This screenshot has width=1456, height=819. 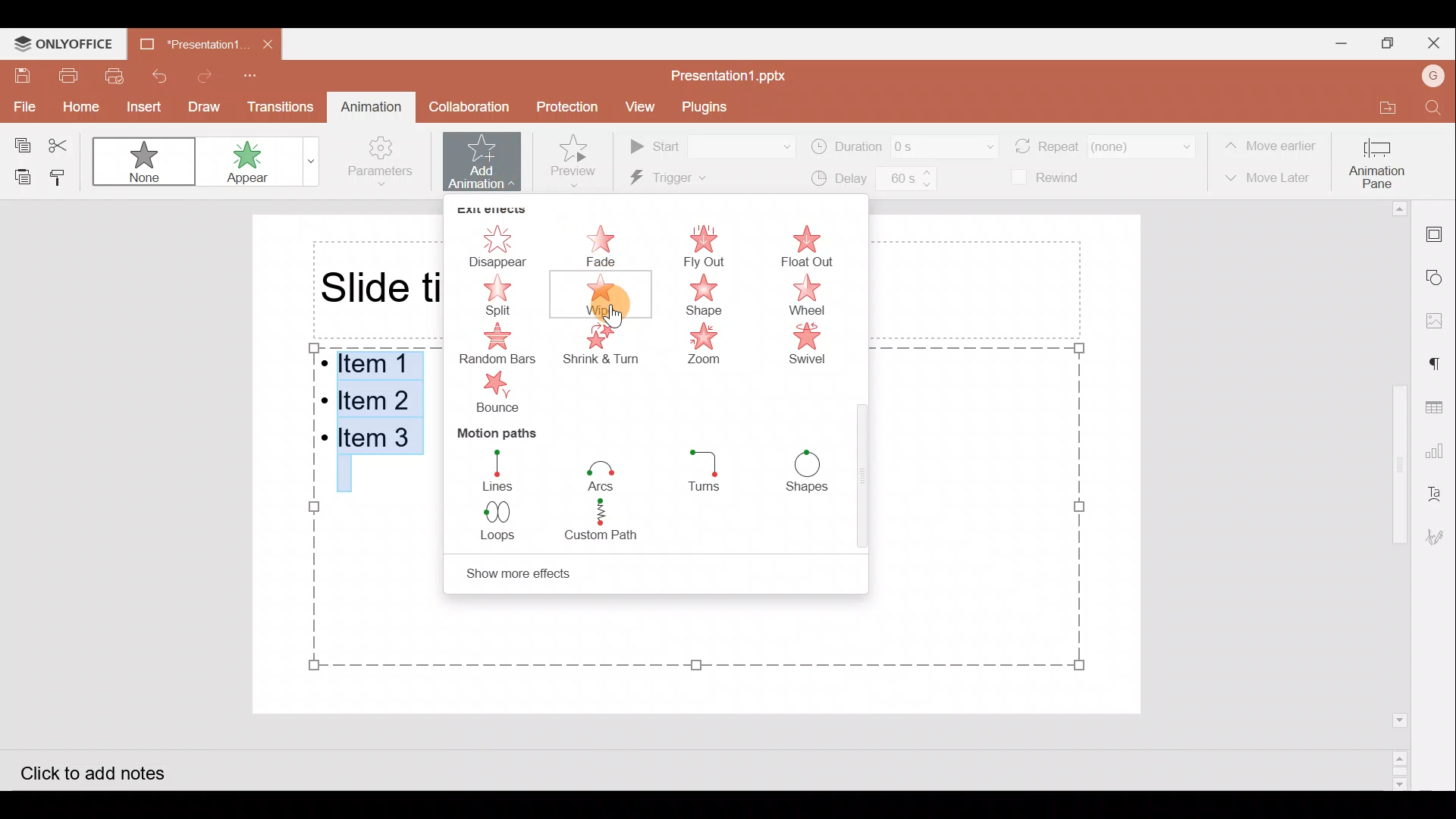 What do you see at coordinates (378, 441) in the screenshot?
I see `Bulleted Item 3 on the presentation slide` at bounding box center [378, 441].